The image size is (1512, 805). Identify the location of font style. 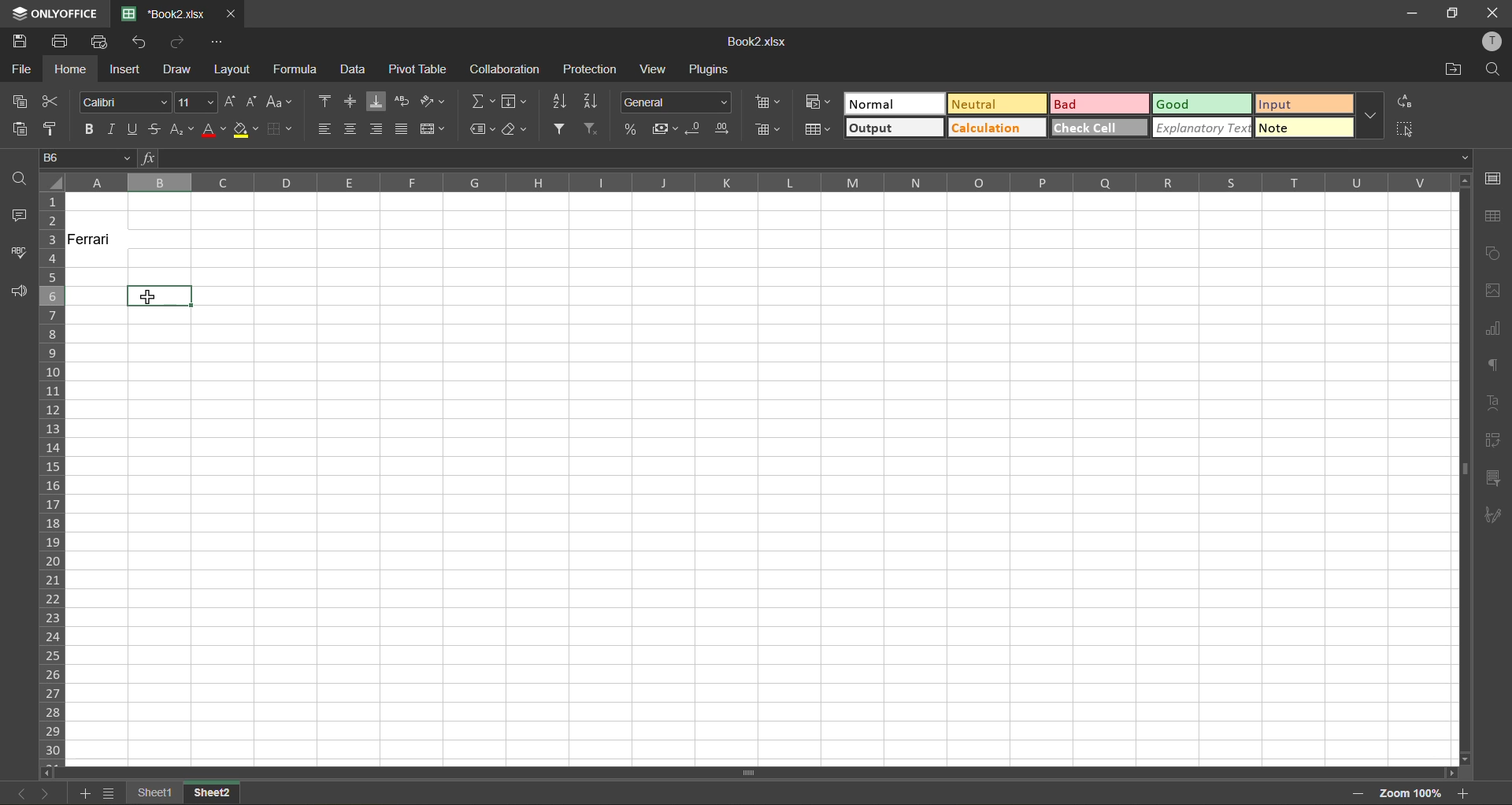
(122, 101).